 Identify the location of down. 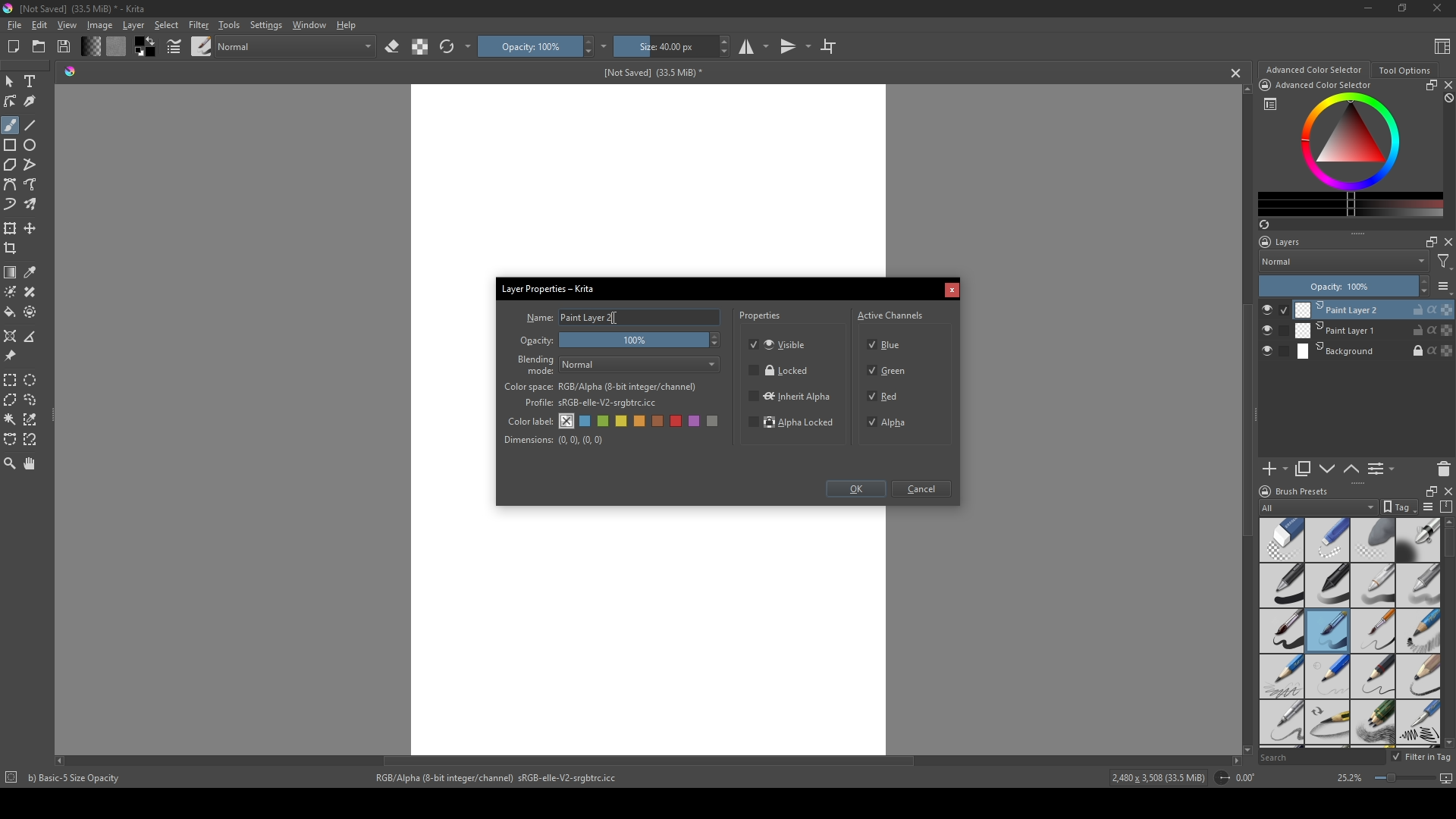
(1327, 469).